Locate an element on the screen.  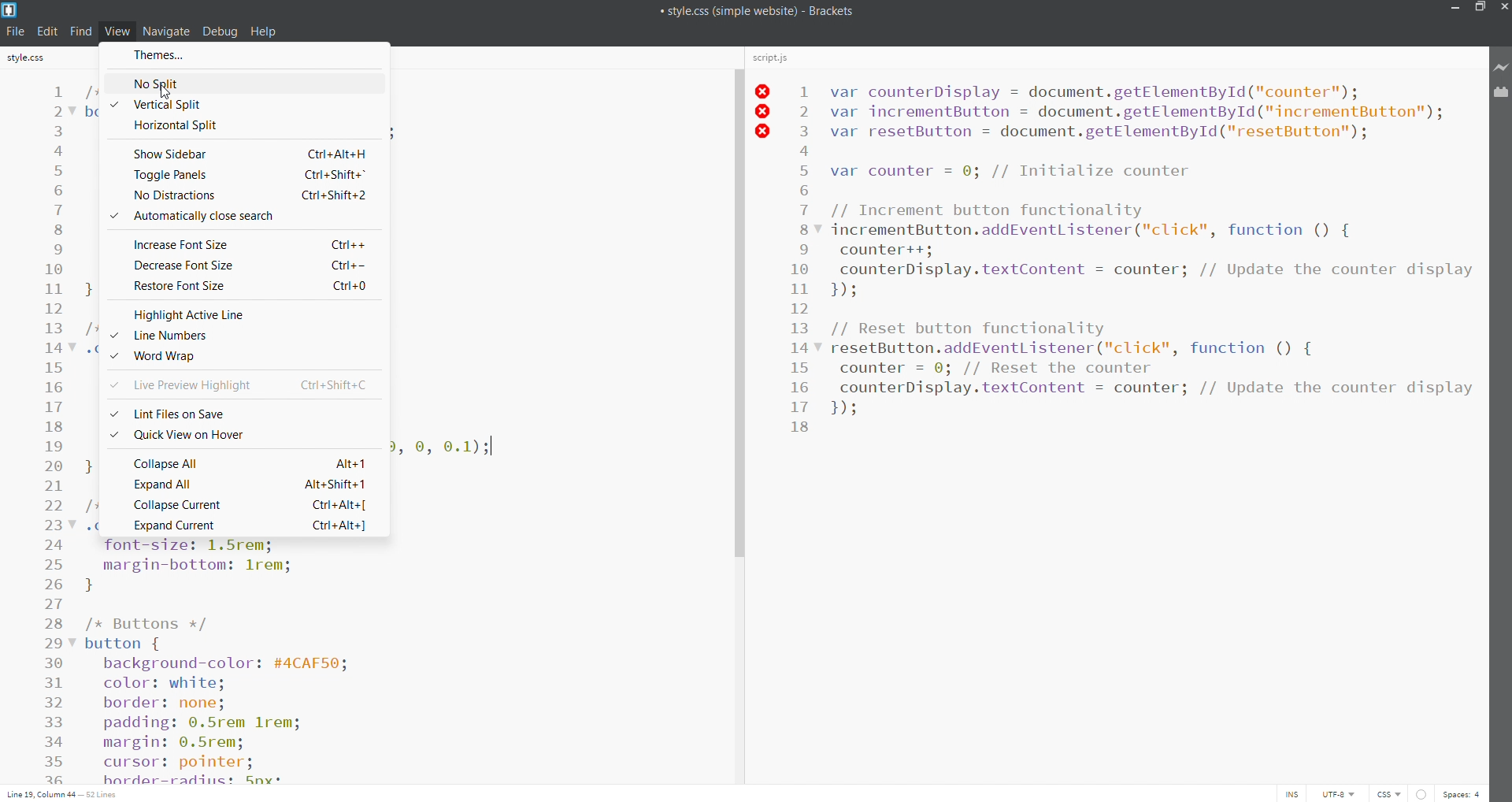
navigate is located at coordinates (164, 31).